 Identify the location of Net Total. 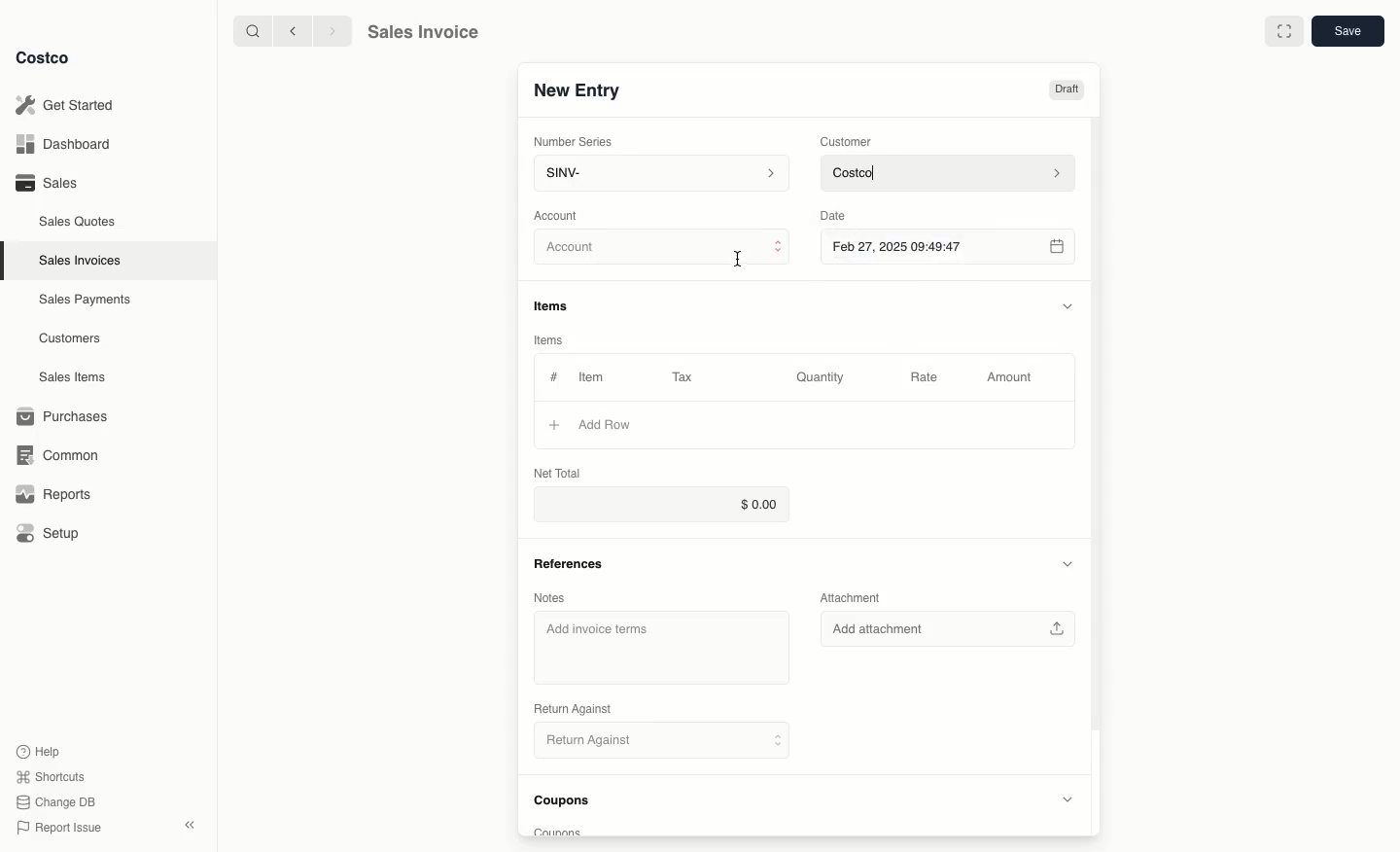
(558, 473).